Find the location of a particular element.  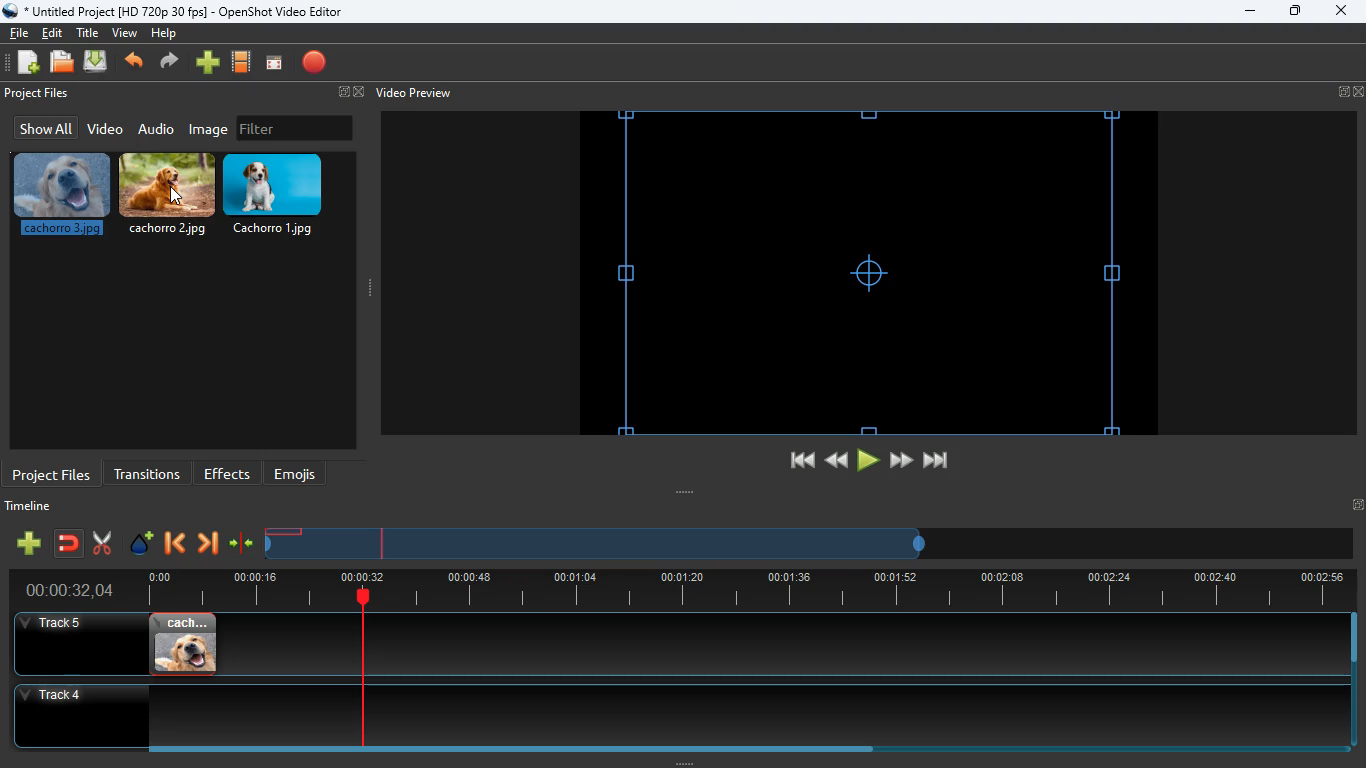

cursor is located at coordinates (179, 194).